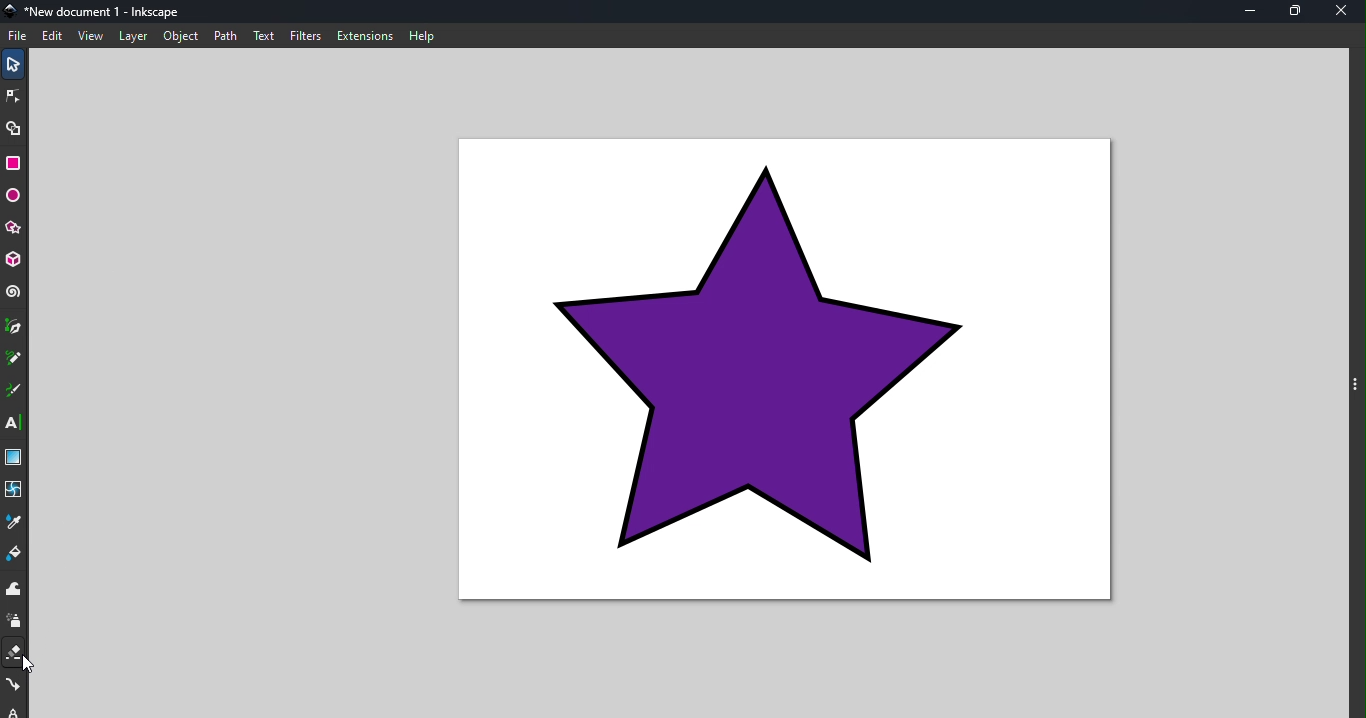 This screenshot has width=1366, height=718. Describe the element at coordinates (14, 521) in the screenshot. I see `dropper tool` at that location.